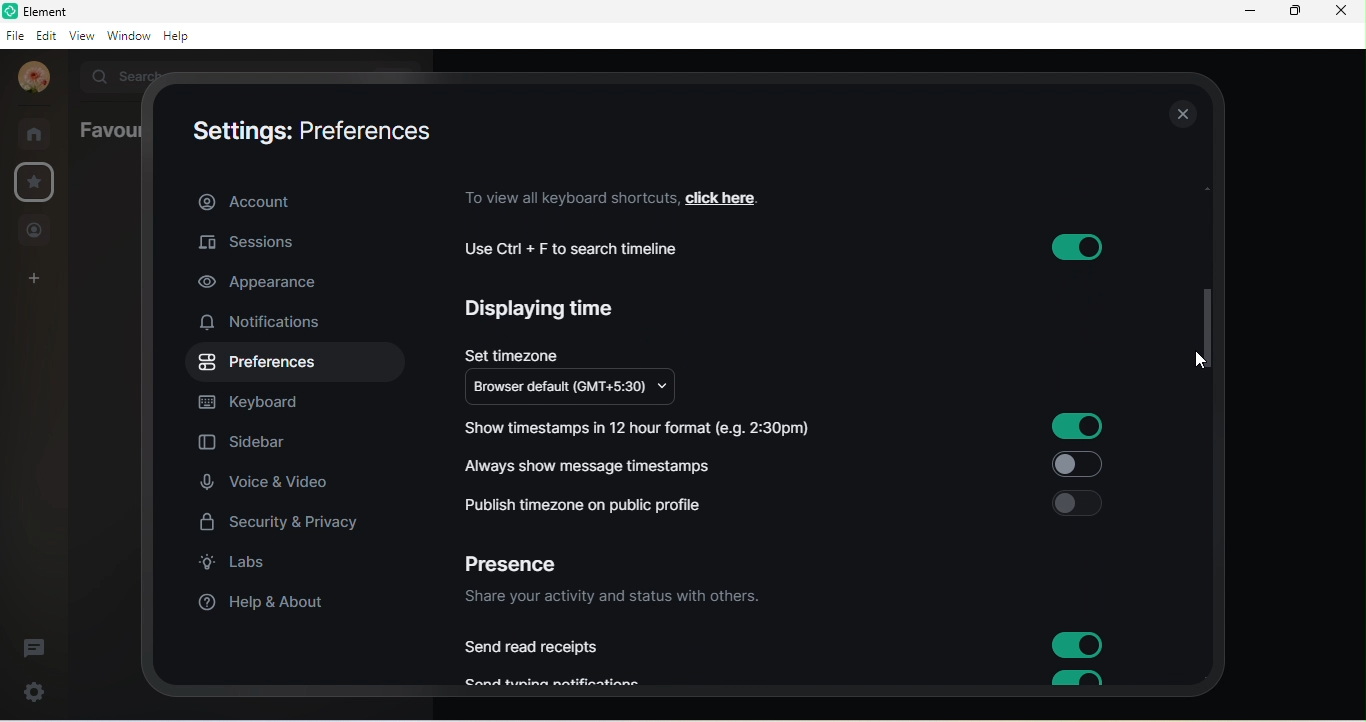 The width and height of the screenshot is (1366, 722). Describe the element at coordinates (582, 389) in the screenshot. I see `browser default` at that location.